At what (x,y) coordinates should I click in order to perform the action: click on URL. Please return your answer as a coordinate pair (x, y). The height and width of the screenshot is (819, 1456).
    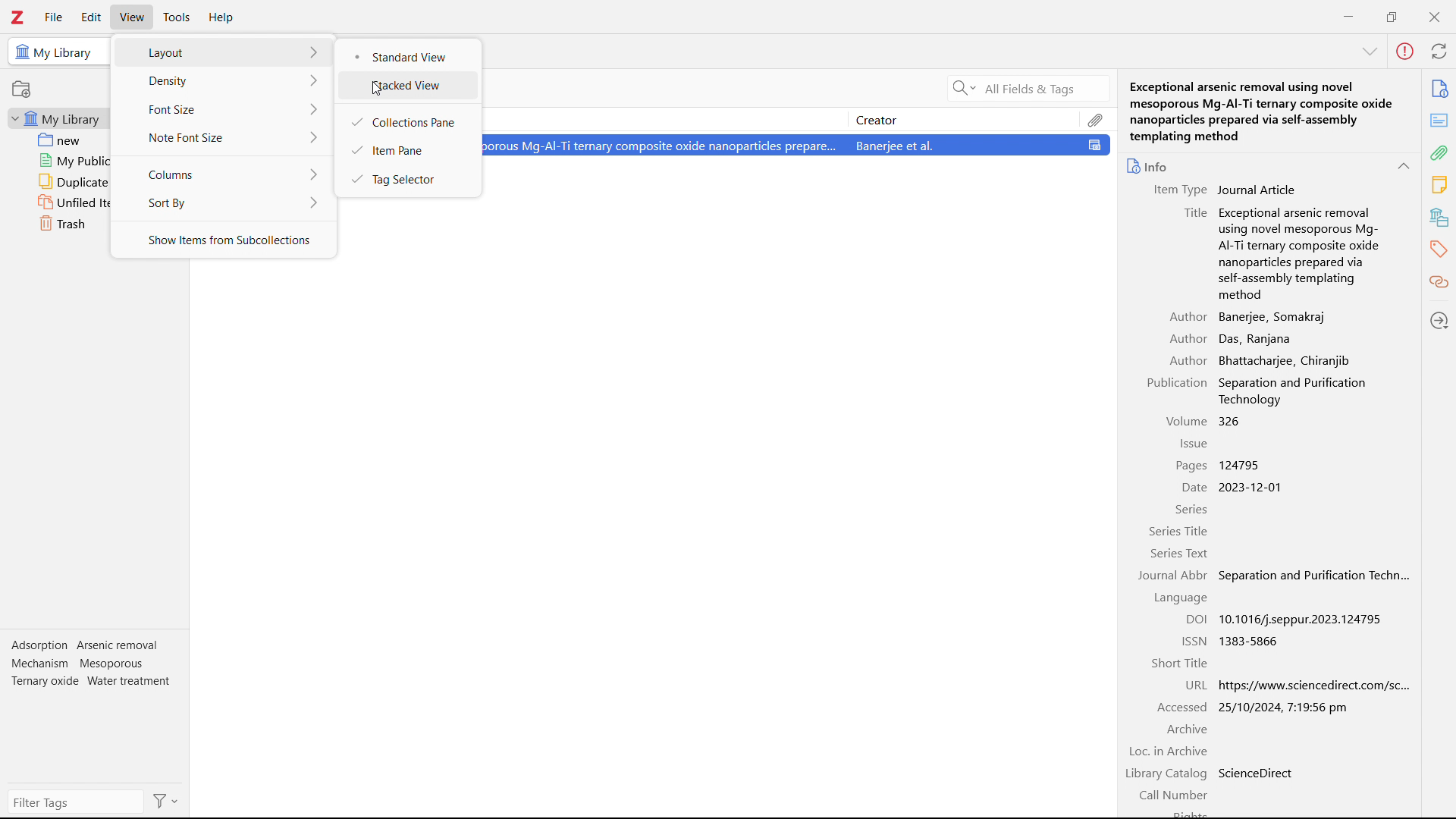
    Looking at the image, I should click on (1194, 685).